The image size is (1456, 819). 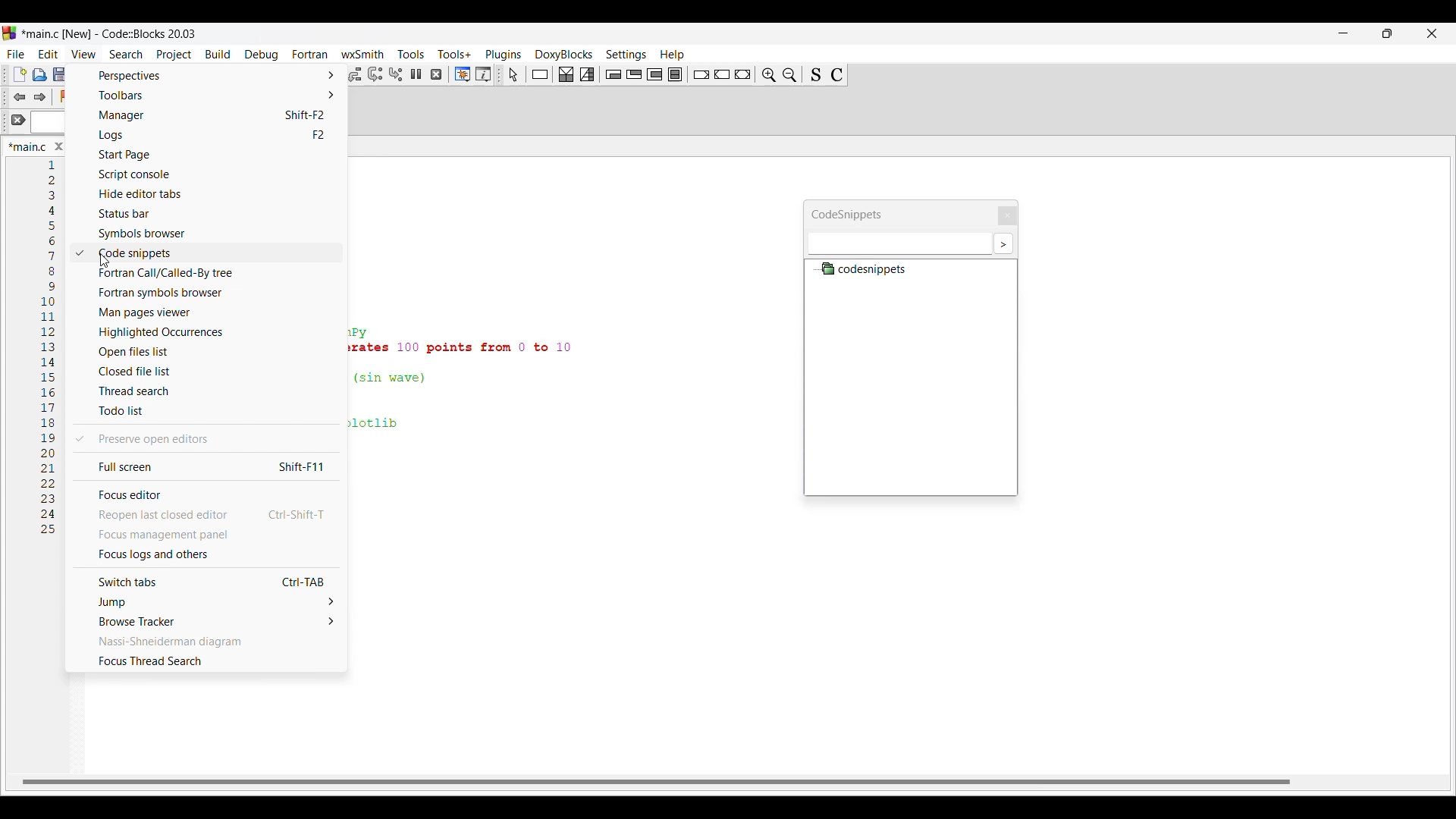 What do you see at coordinates (416, 74) in the screenshot?
I see `Break debugger` at bounding box center [416, 74].